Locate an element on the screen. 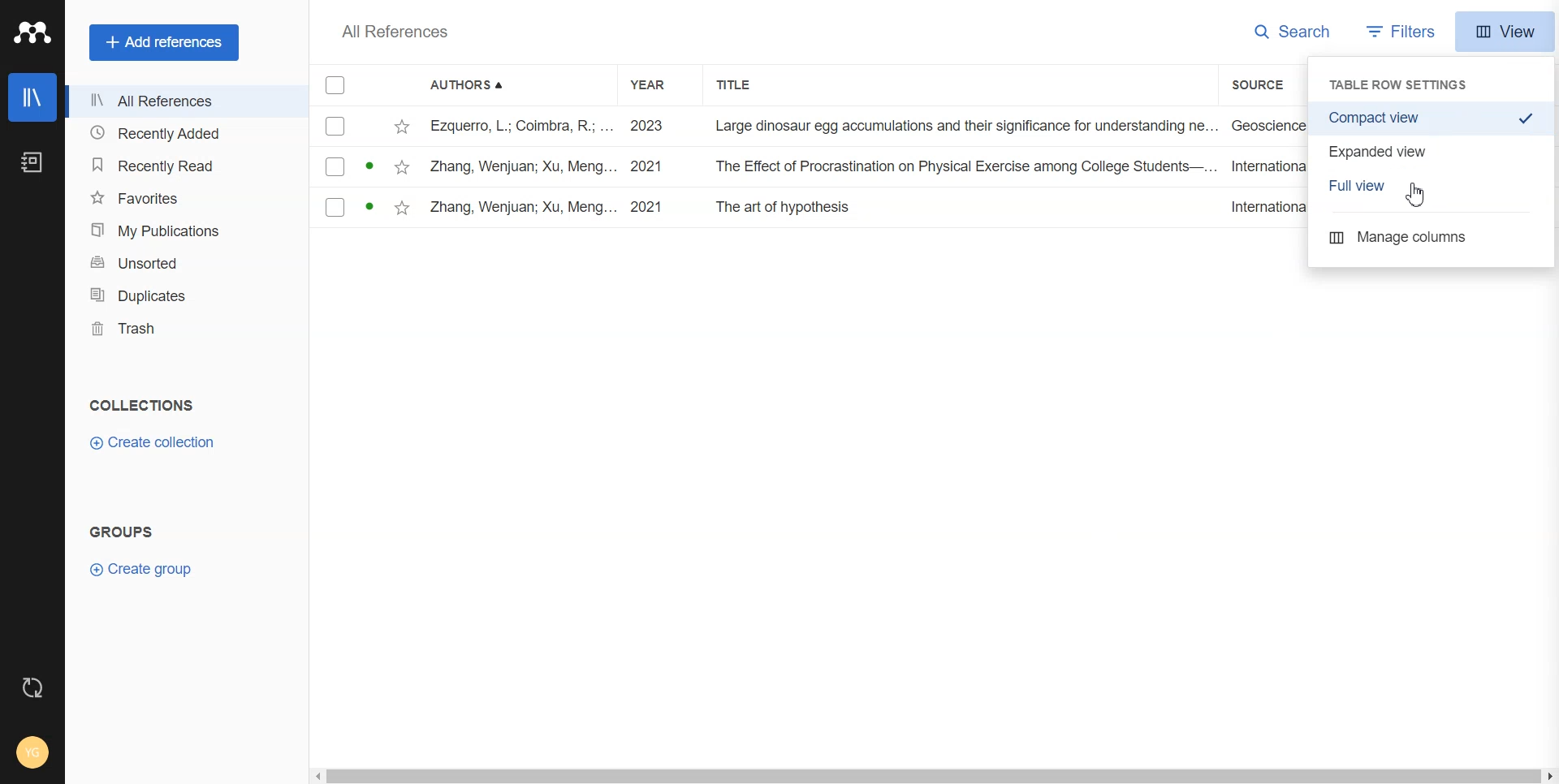 The image size is (1559, 784). Add references is located at coordinates (165, 42).